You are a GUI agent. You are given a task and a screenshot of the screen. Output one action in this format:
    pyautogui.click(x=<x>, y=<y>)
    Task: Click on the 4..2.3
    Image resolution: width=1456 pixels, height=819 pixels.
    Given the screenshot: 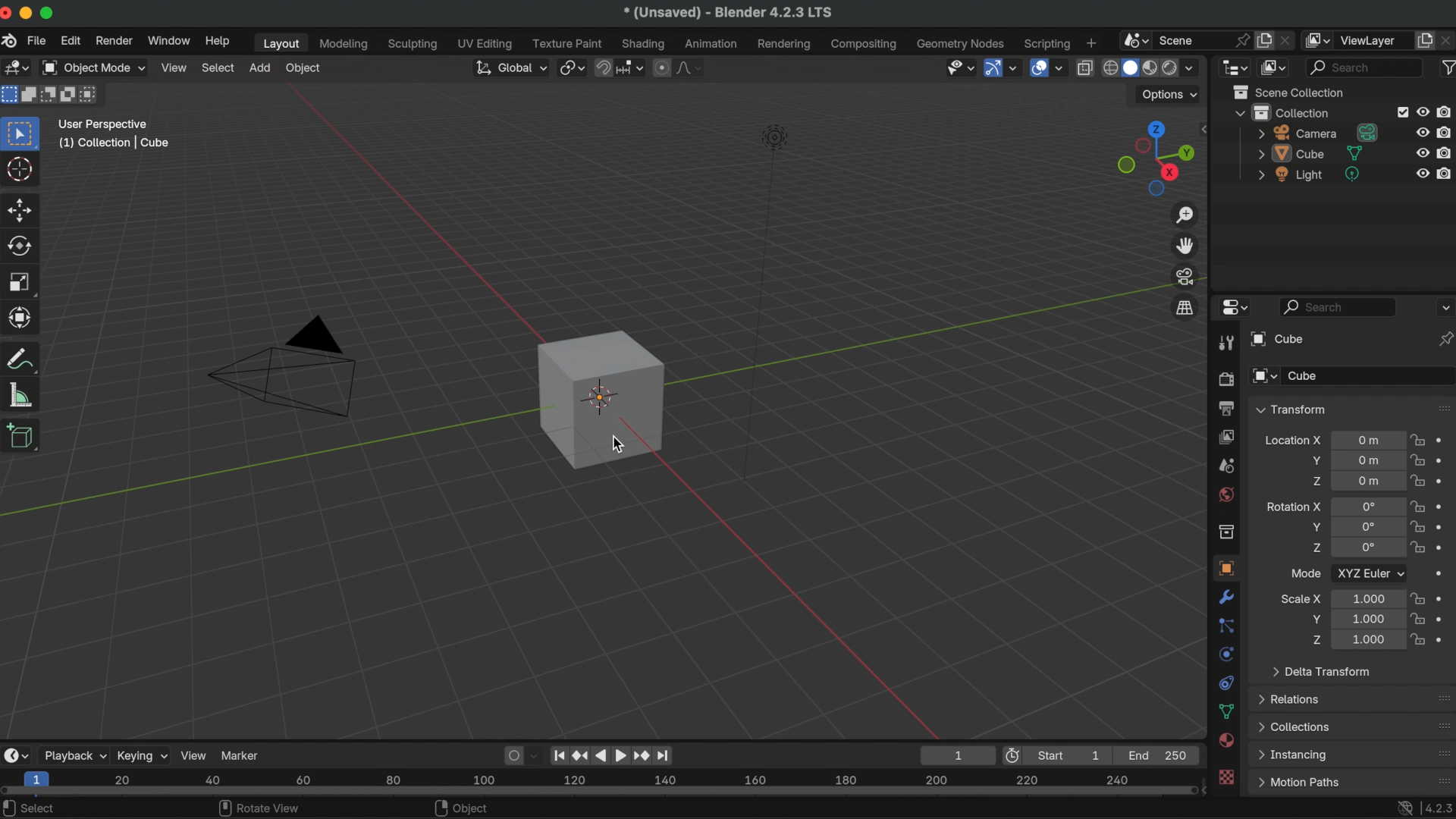 What is the action you would take?
    pyautogui.click(x=1438, y=805)
    